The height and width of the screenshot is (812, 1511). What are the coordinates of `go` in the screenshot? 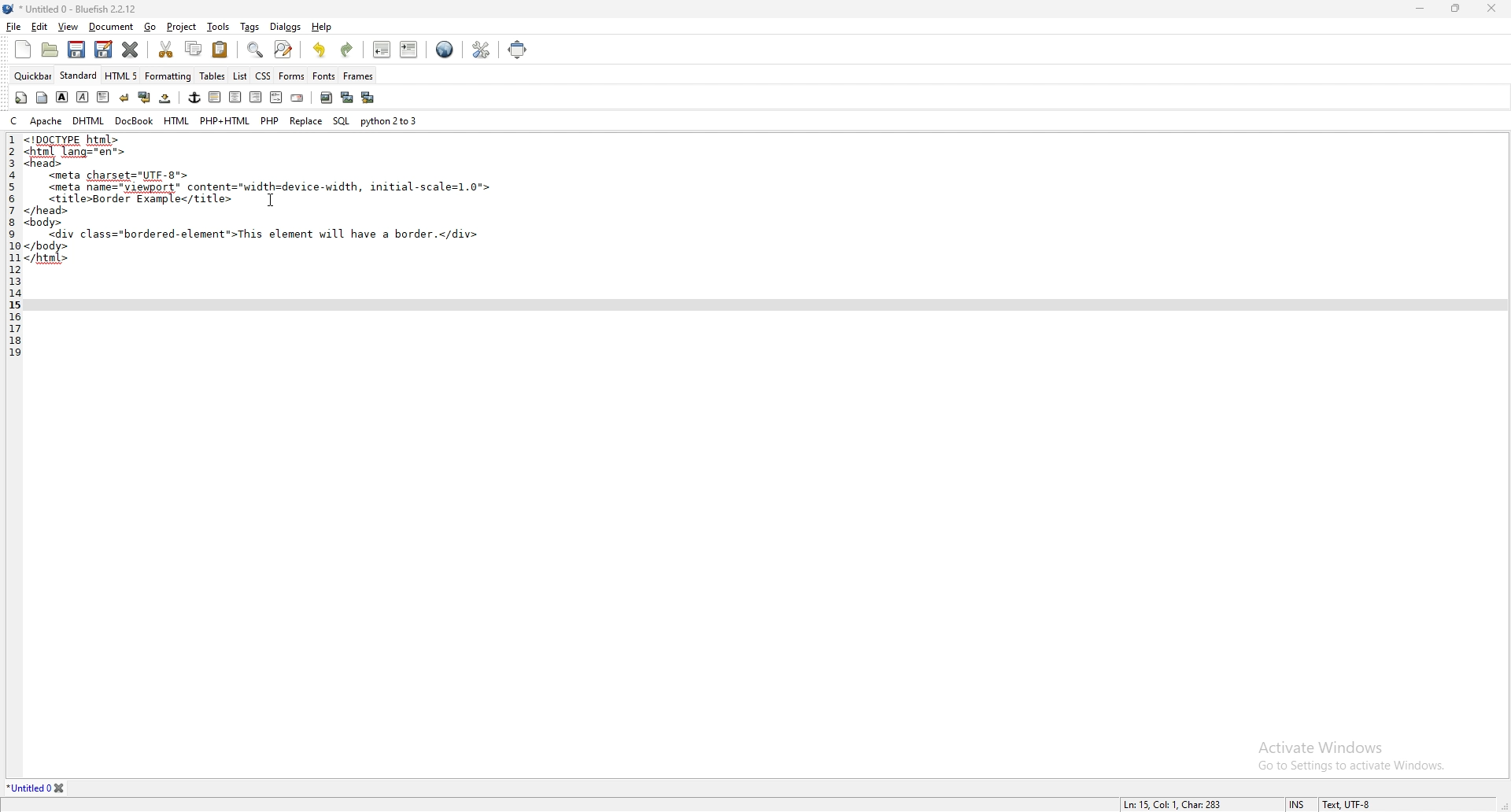 It's located at (150, 27).